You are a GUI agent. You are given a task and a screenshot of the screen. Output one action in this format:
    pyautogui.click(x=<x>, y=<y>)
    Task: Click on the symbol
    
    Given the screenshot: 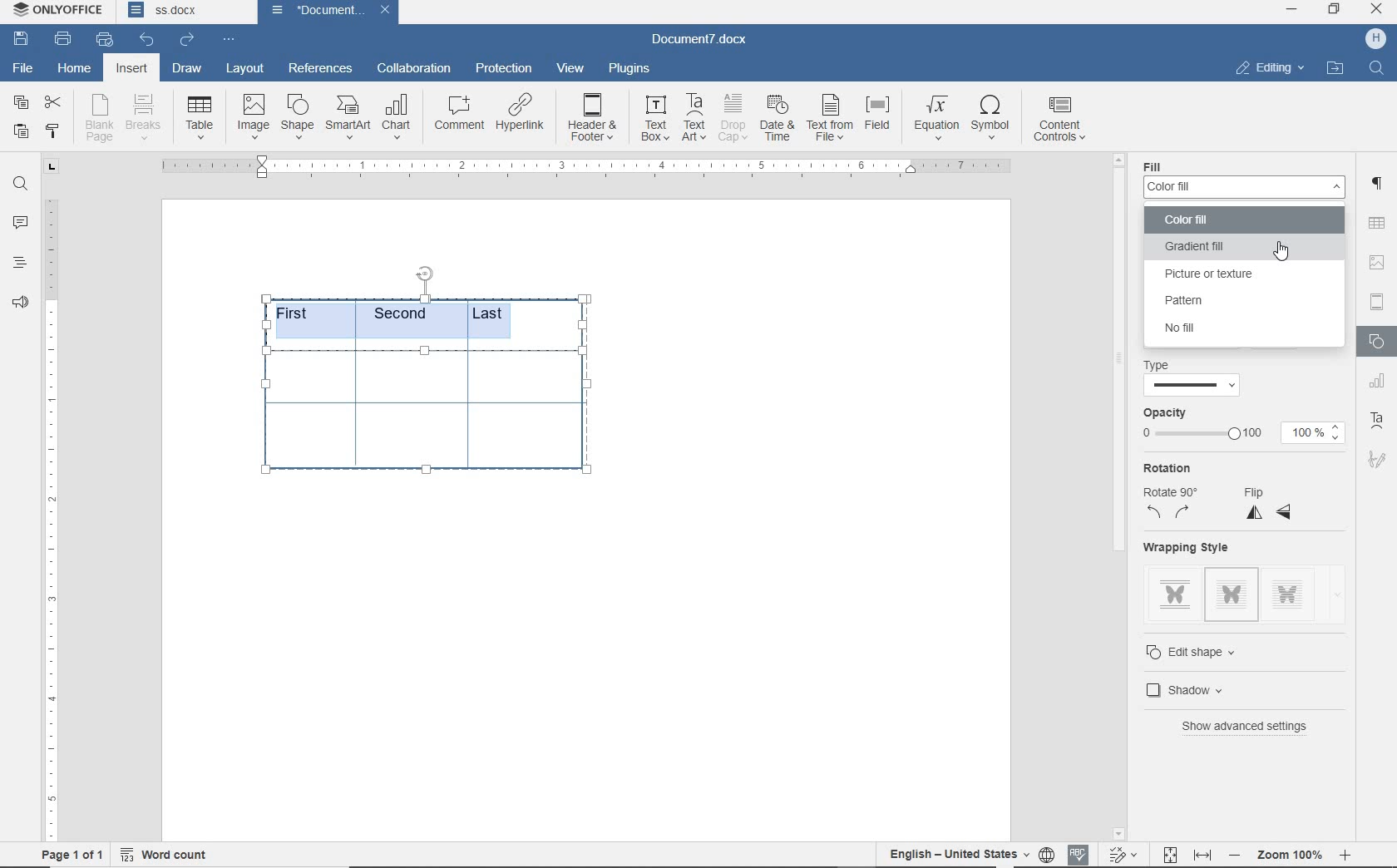 What is the action you would take?
    pyautogui.click(x=994, y=116)
    